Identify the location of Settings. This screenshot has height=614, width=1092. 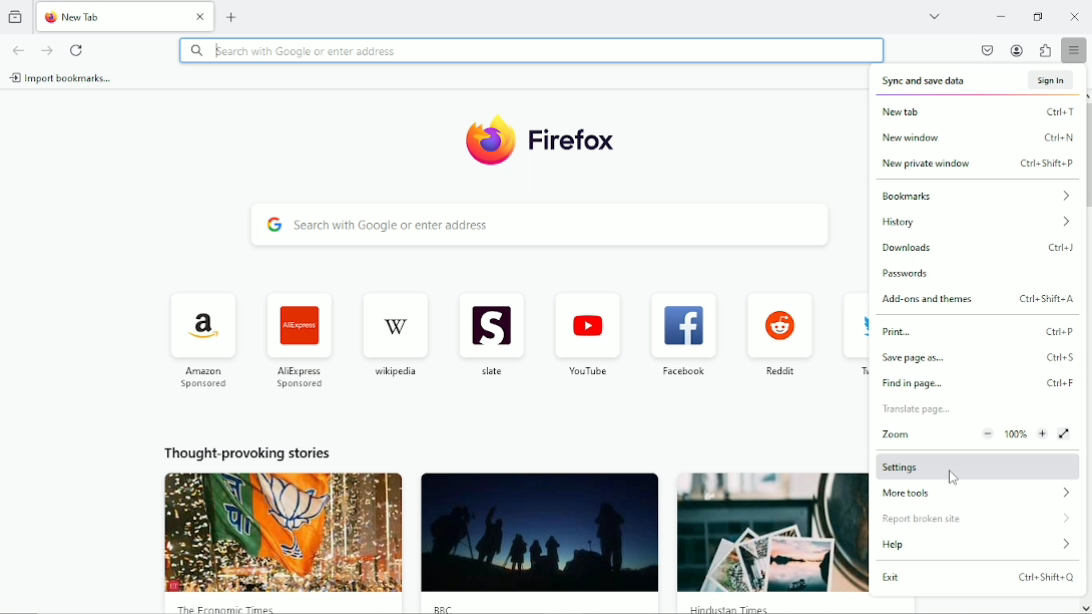
(977, 465).